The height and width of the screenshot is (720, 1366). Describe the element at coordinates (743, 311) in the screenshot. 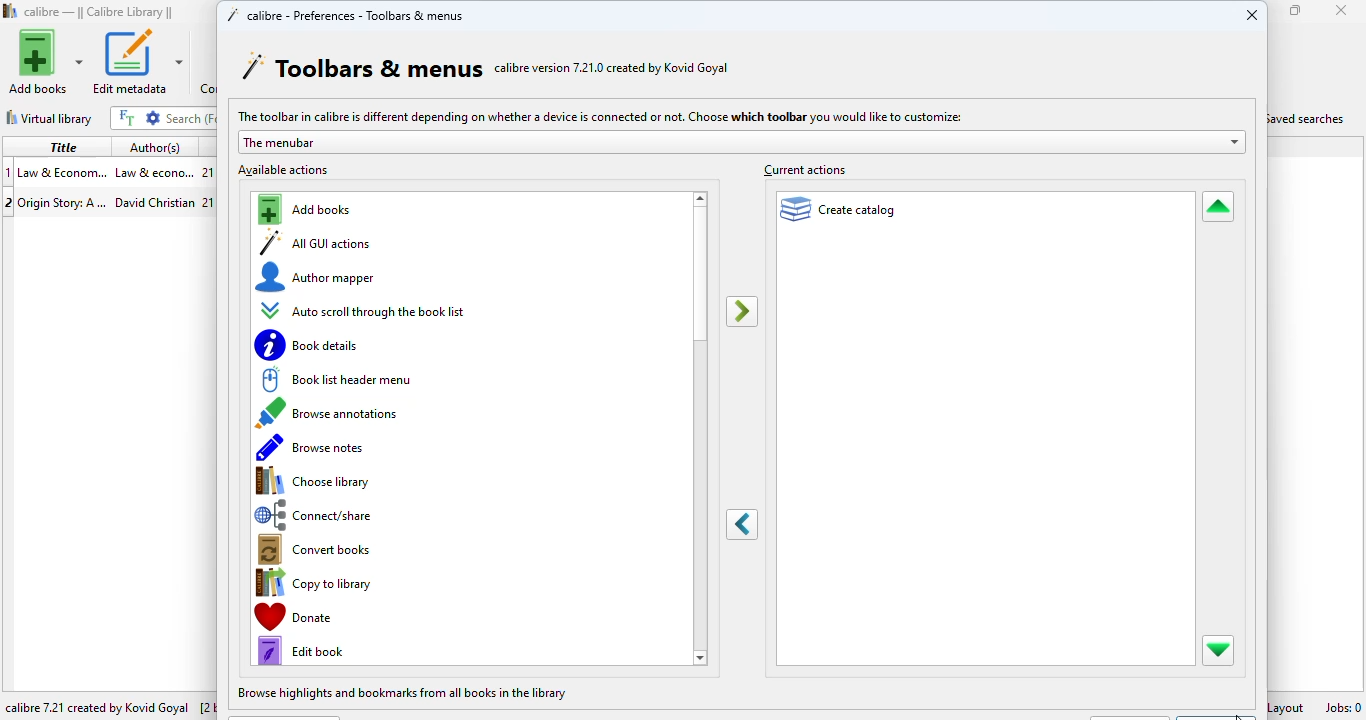

I see `add selected actions to toolbar` at that location.